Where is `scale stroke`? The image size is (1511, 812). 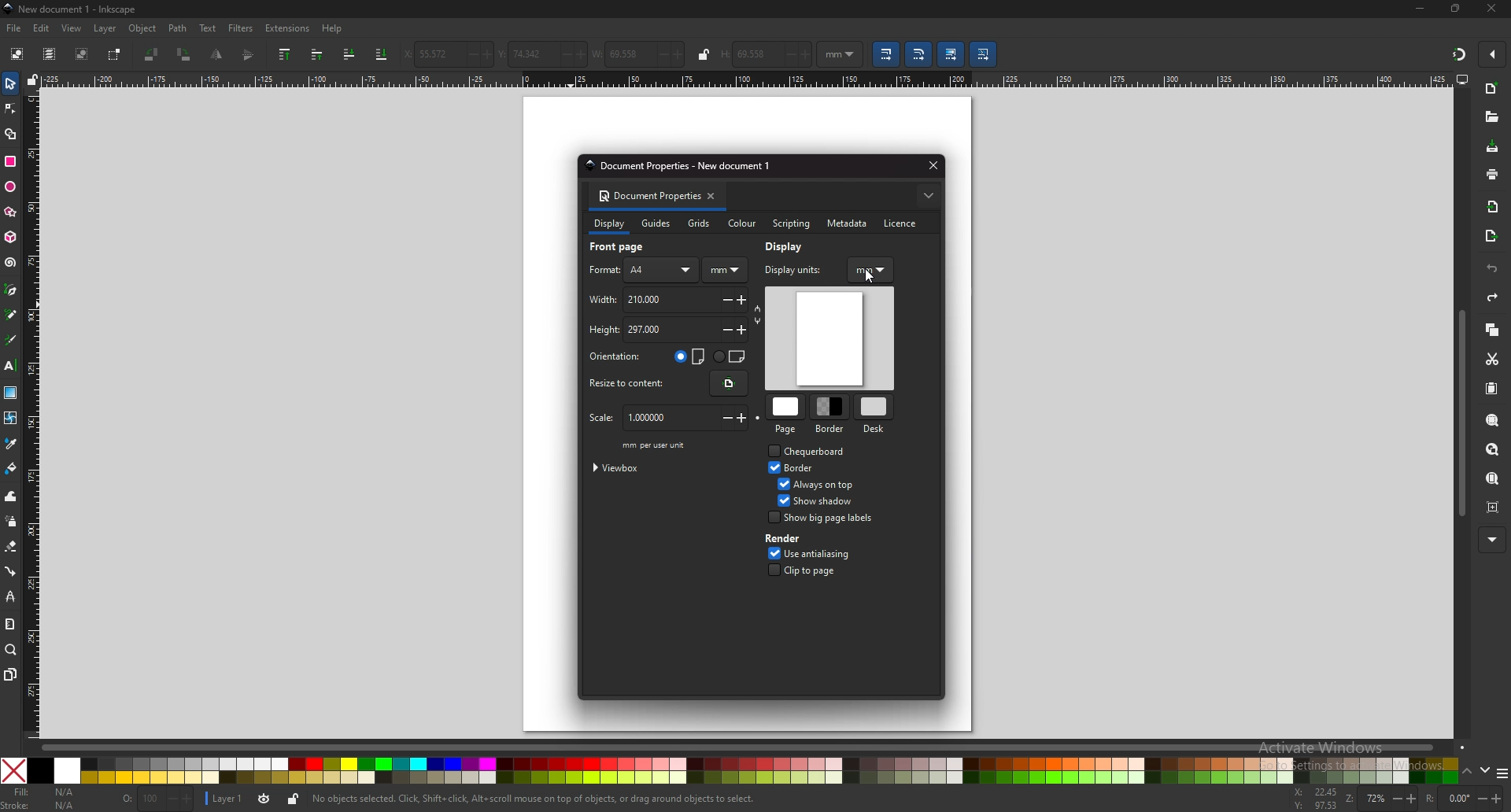 scale stroke is located at coordinates (888, 54).